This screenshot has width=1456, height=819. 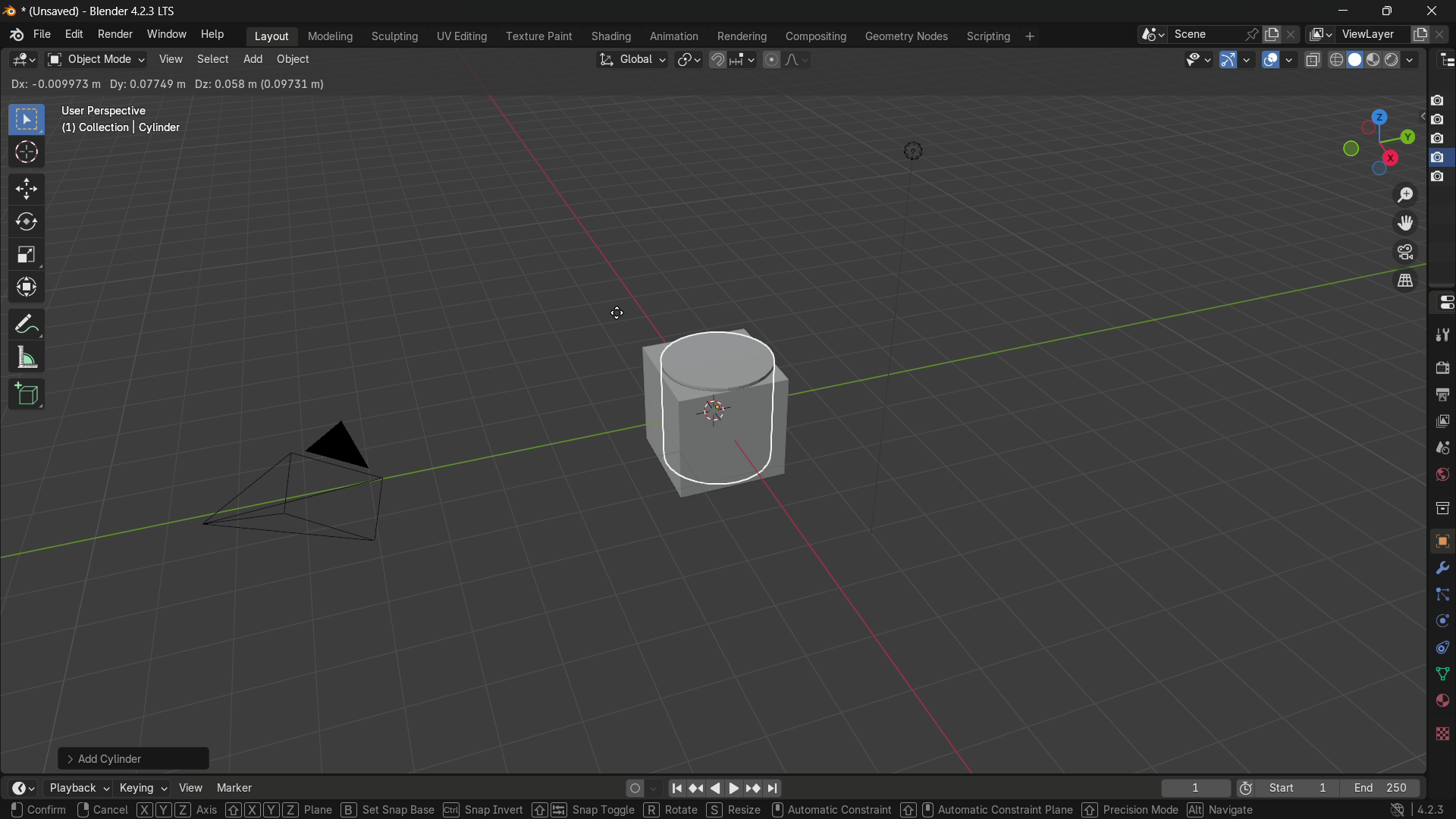 What do you see at coordinates (125, 125) in the screenshot?
I see `user perspective (1) | collection` at bounding box center [125, 125].